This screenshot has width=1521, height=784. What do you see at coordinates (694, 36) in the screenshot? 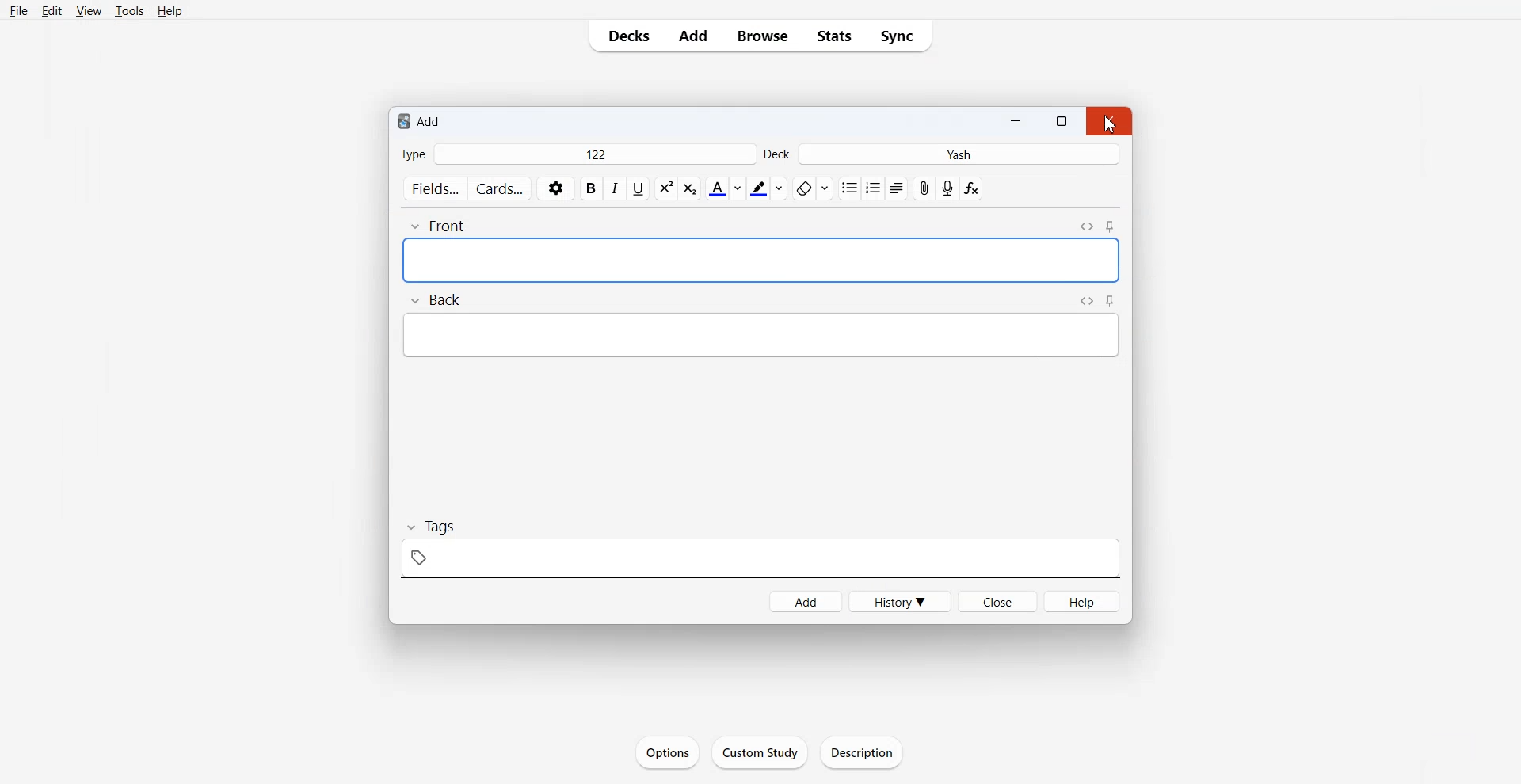
I see `Add` at bounding box center [694, 36].